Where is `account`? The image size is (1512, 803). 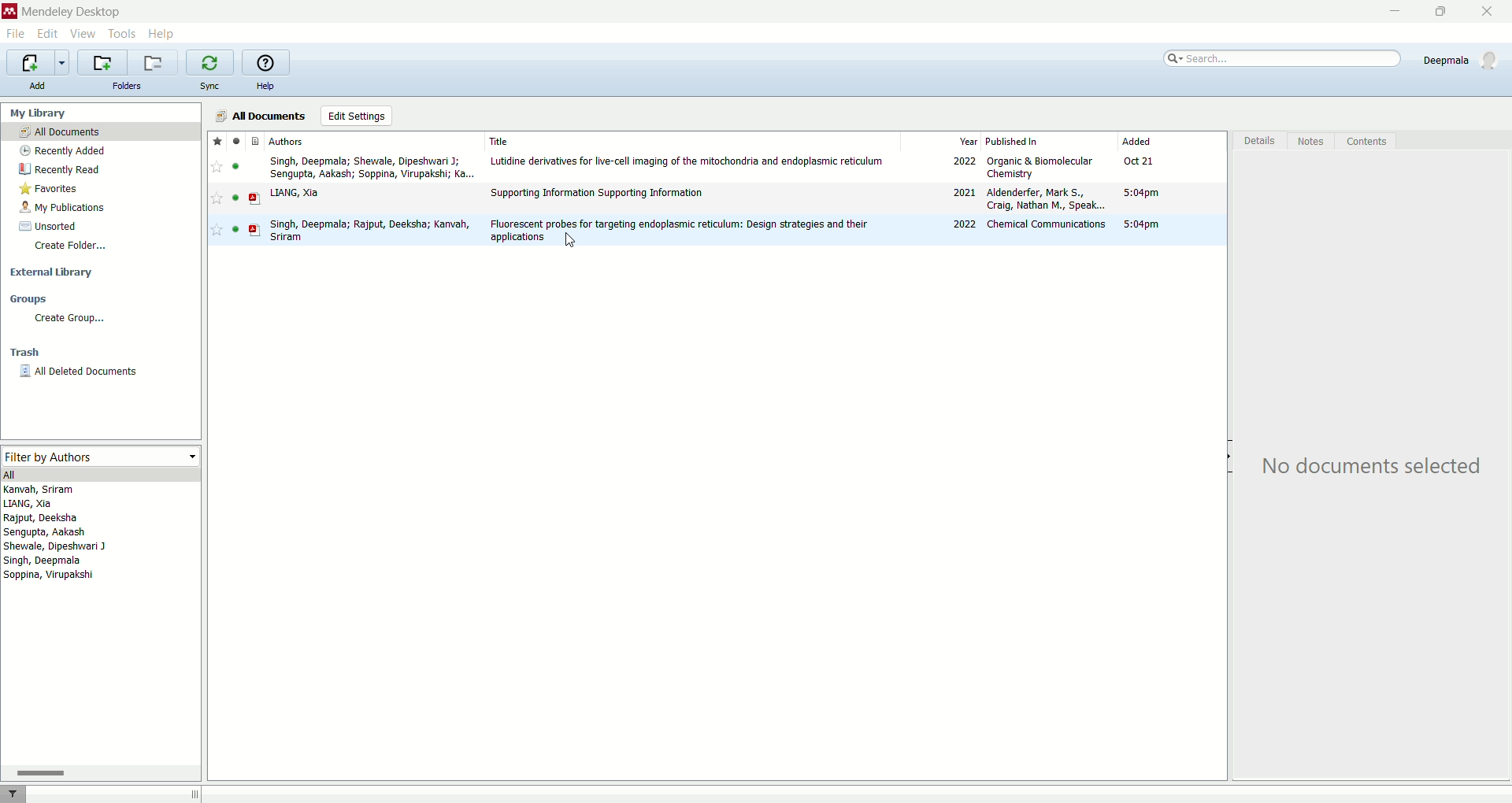
account is located at coordinates (1458, 59).